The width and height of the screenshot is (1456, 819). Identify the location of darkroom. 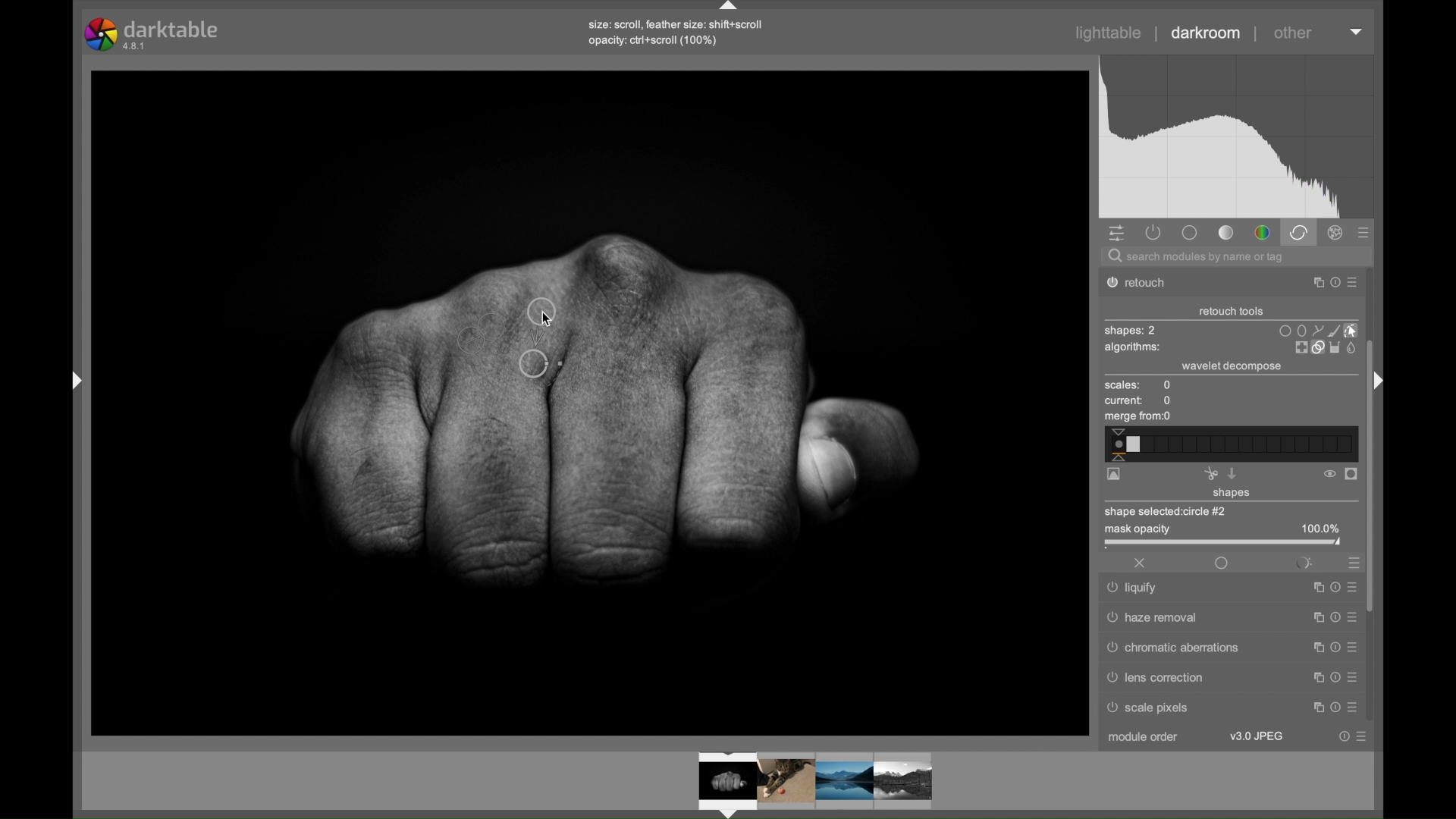
(1207, 33).